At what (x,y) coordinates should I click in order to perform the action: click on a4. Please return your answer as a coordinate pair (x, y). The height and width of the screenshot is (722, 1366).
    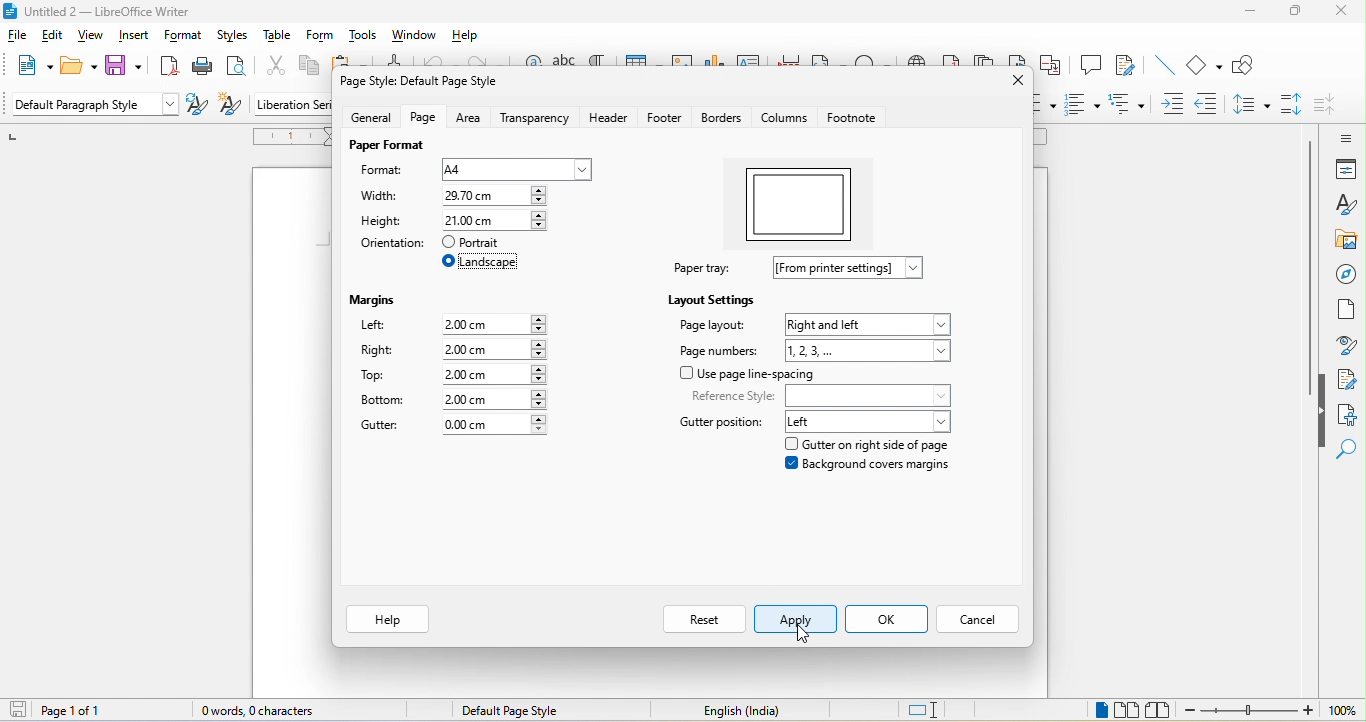
    Looking at the image, I should click on (516, 169).